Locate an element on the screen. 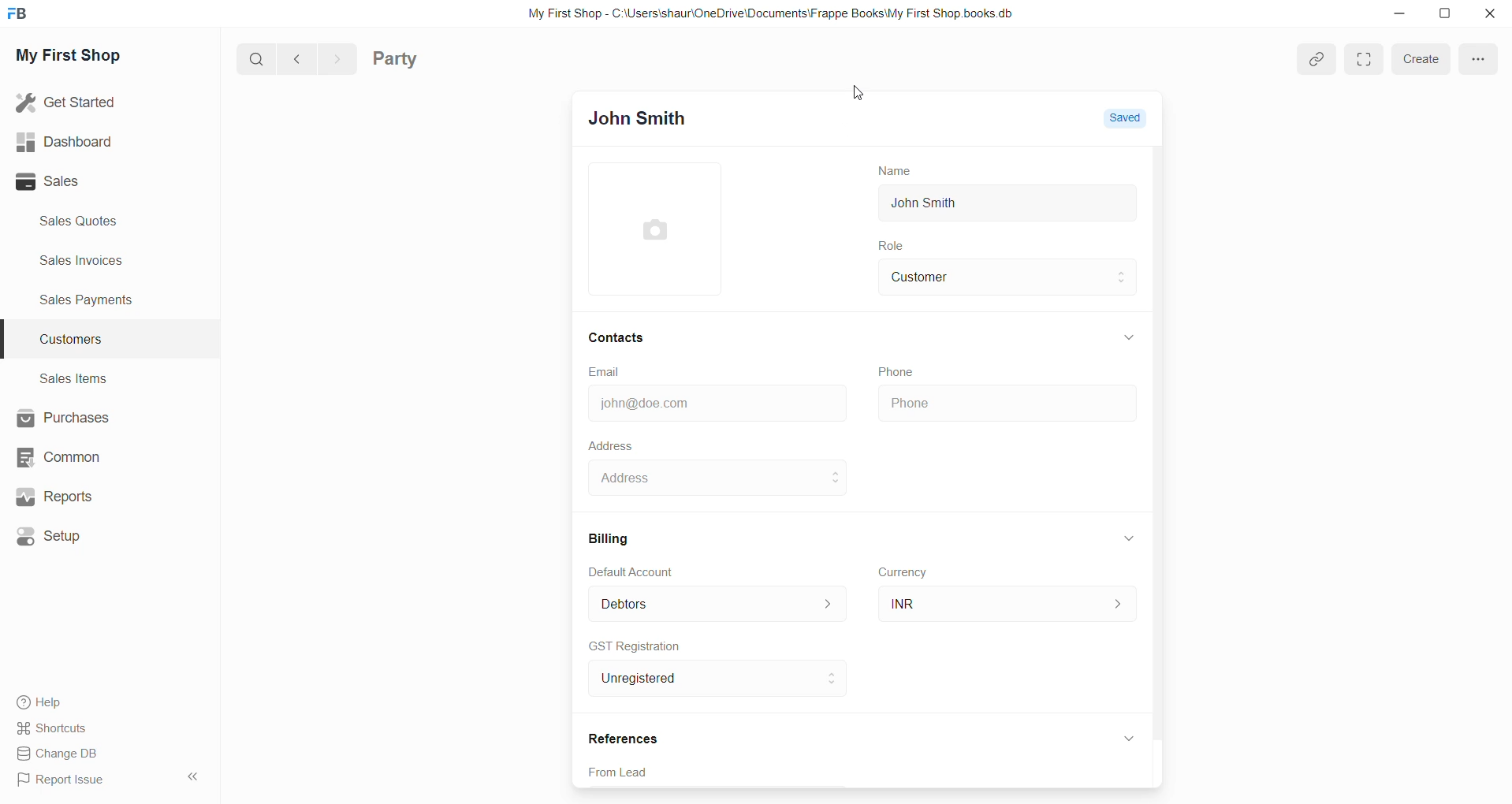  sales payments is located at coordinates (94, 303).